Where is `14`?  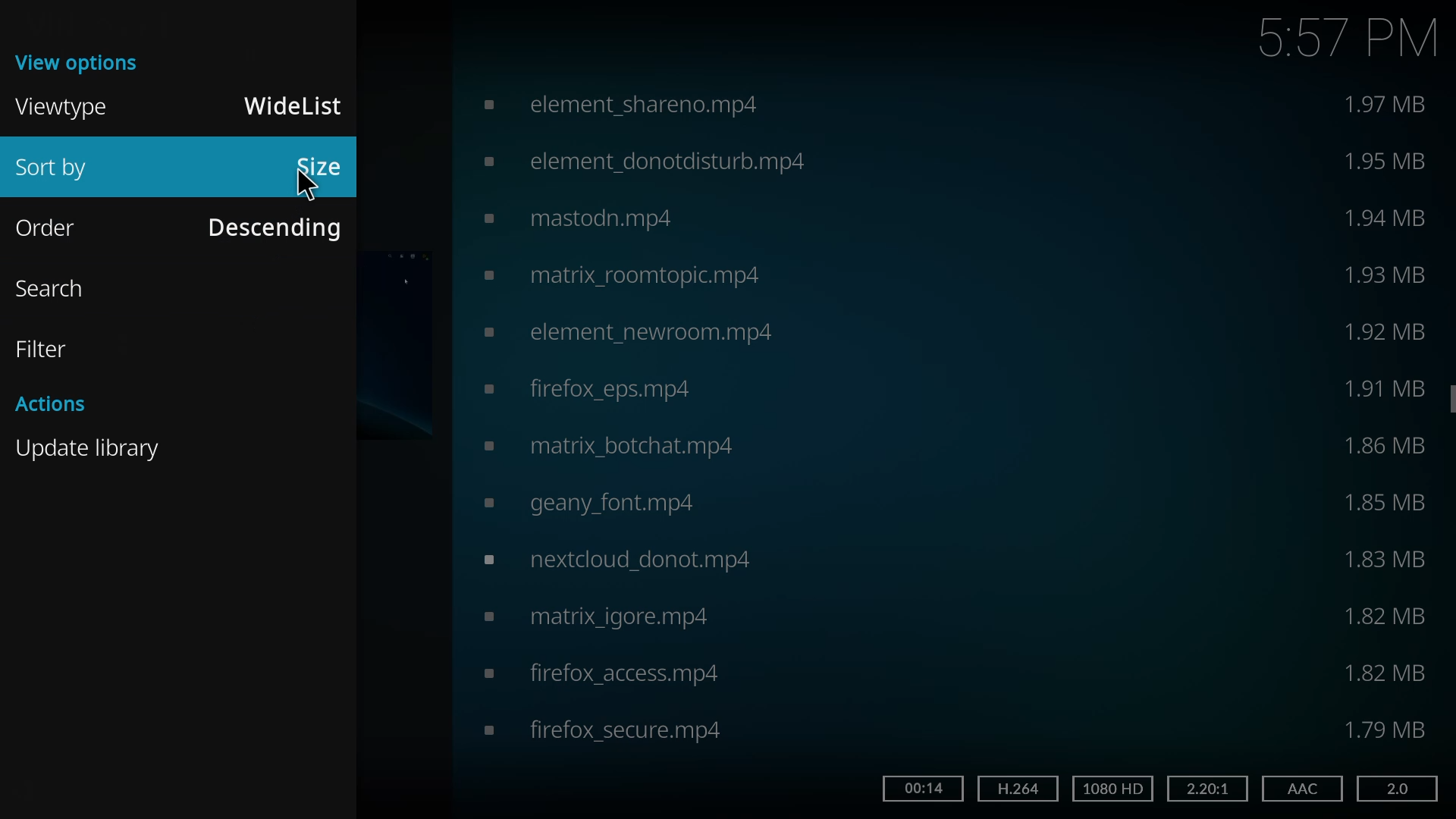
14 is located at coordinates (921, 787).